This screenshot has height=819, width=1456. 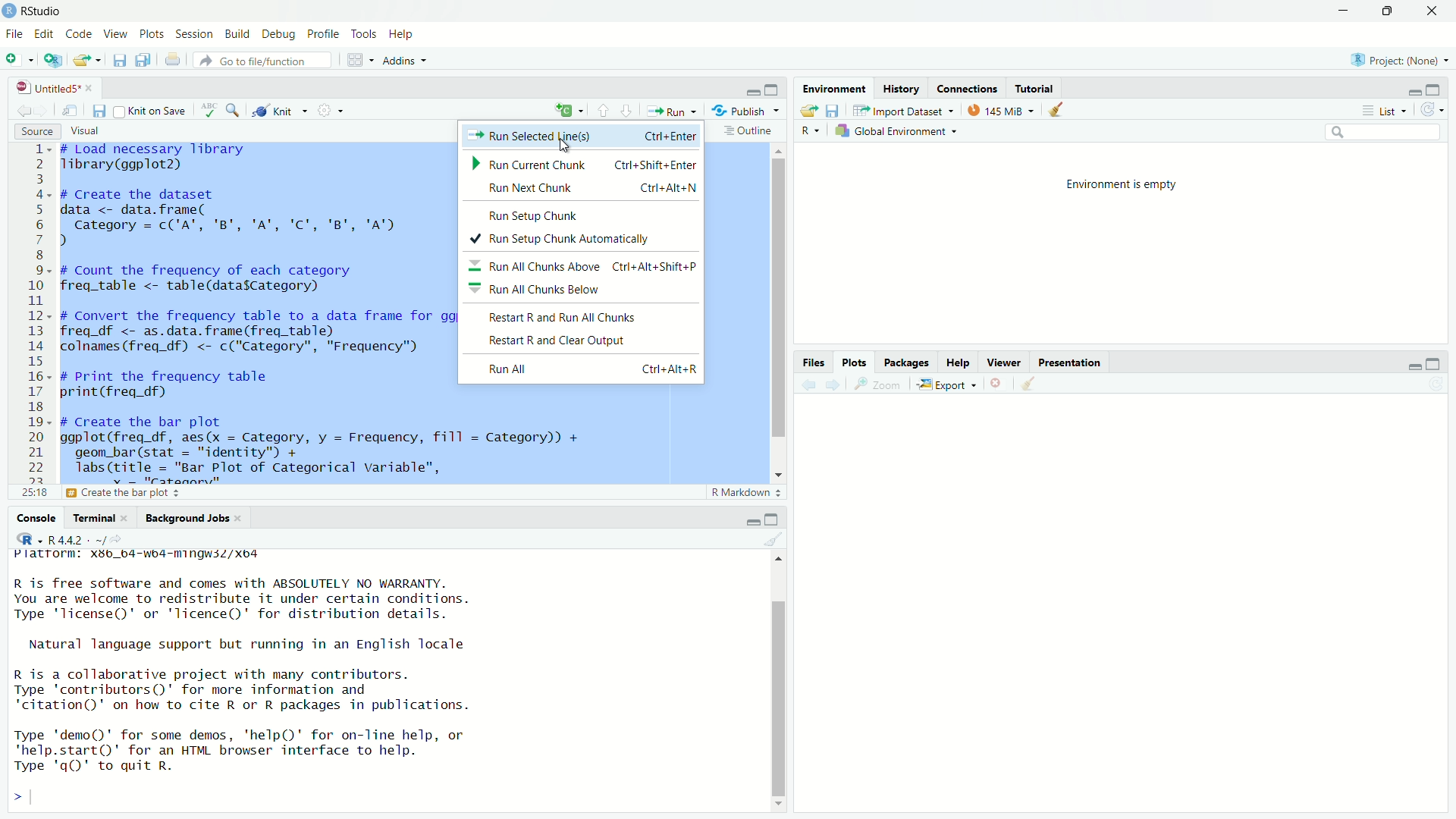 What do you see at coordinates (1035, 88) in the screenshot?
I see `tutorial` at bounding box center [1035, 88].